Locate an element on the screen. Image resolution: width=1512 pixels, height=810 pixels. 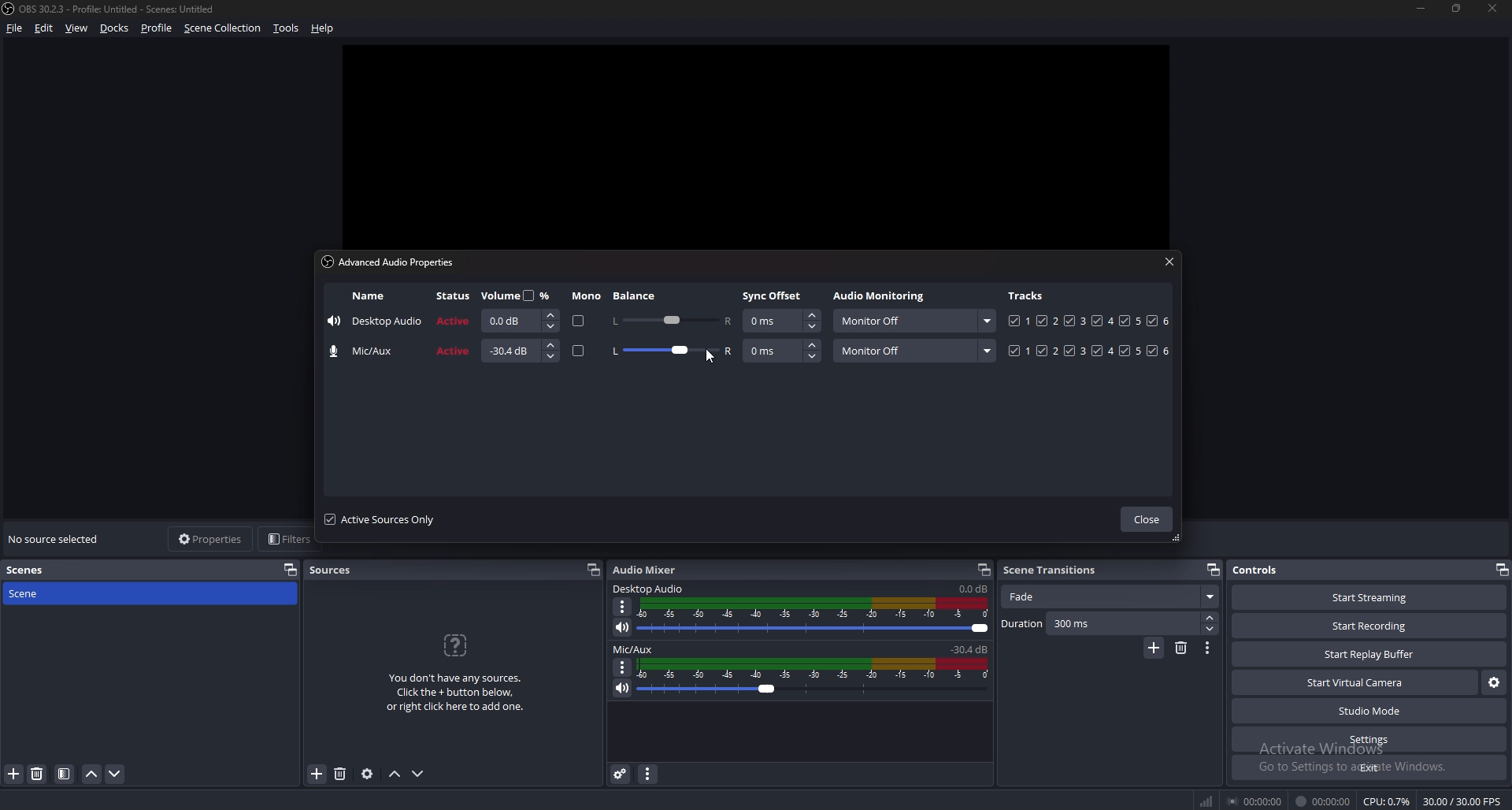
move source up is located at coordinates (394, 775).